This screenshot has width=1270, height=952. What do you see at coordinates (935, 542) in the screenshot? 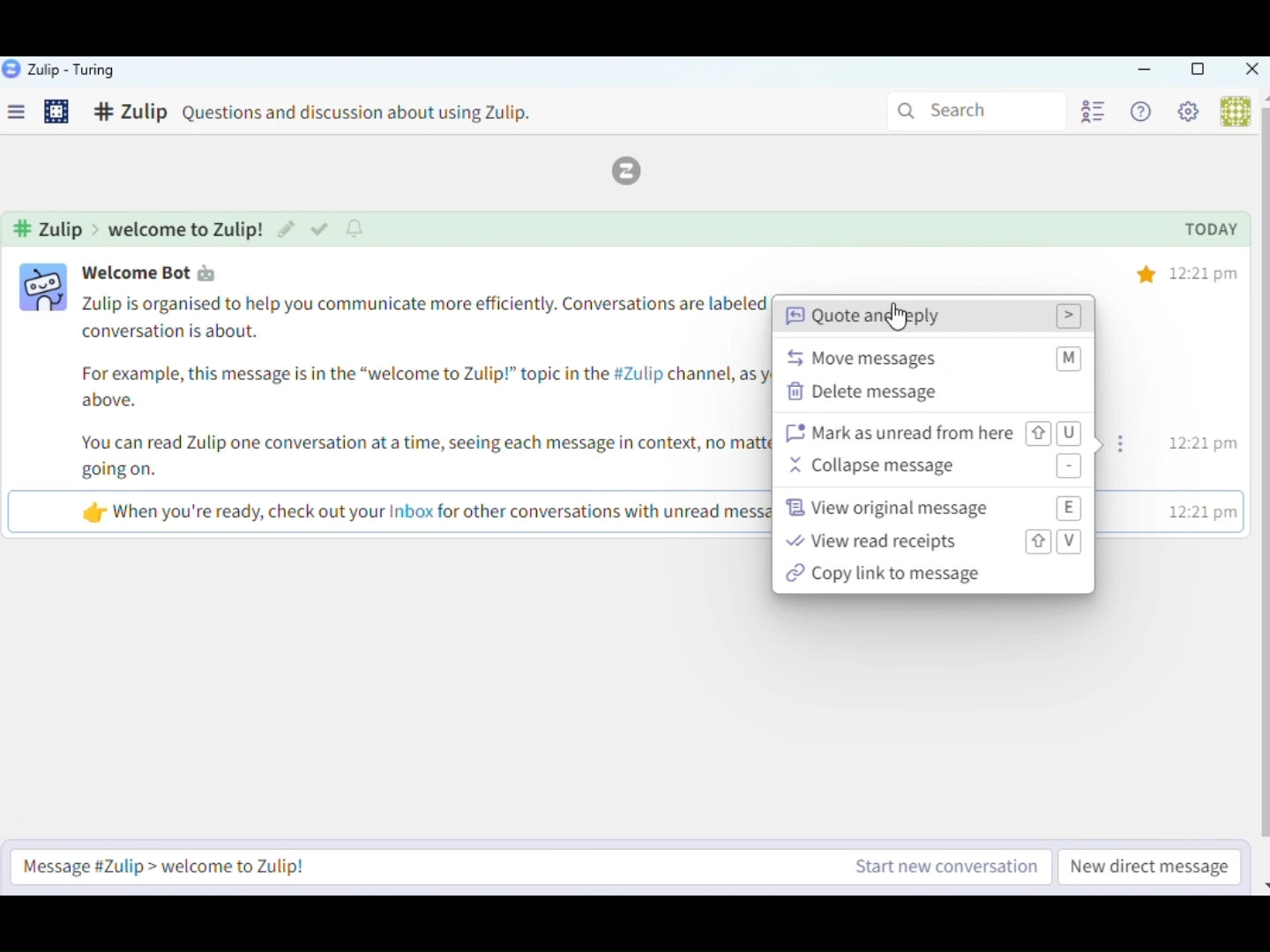
I see `View Read Receipts` at bounding box center [935, 542].